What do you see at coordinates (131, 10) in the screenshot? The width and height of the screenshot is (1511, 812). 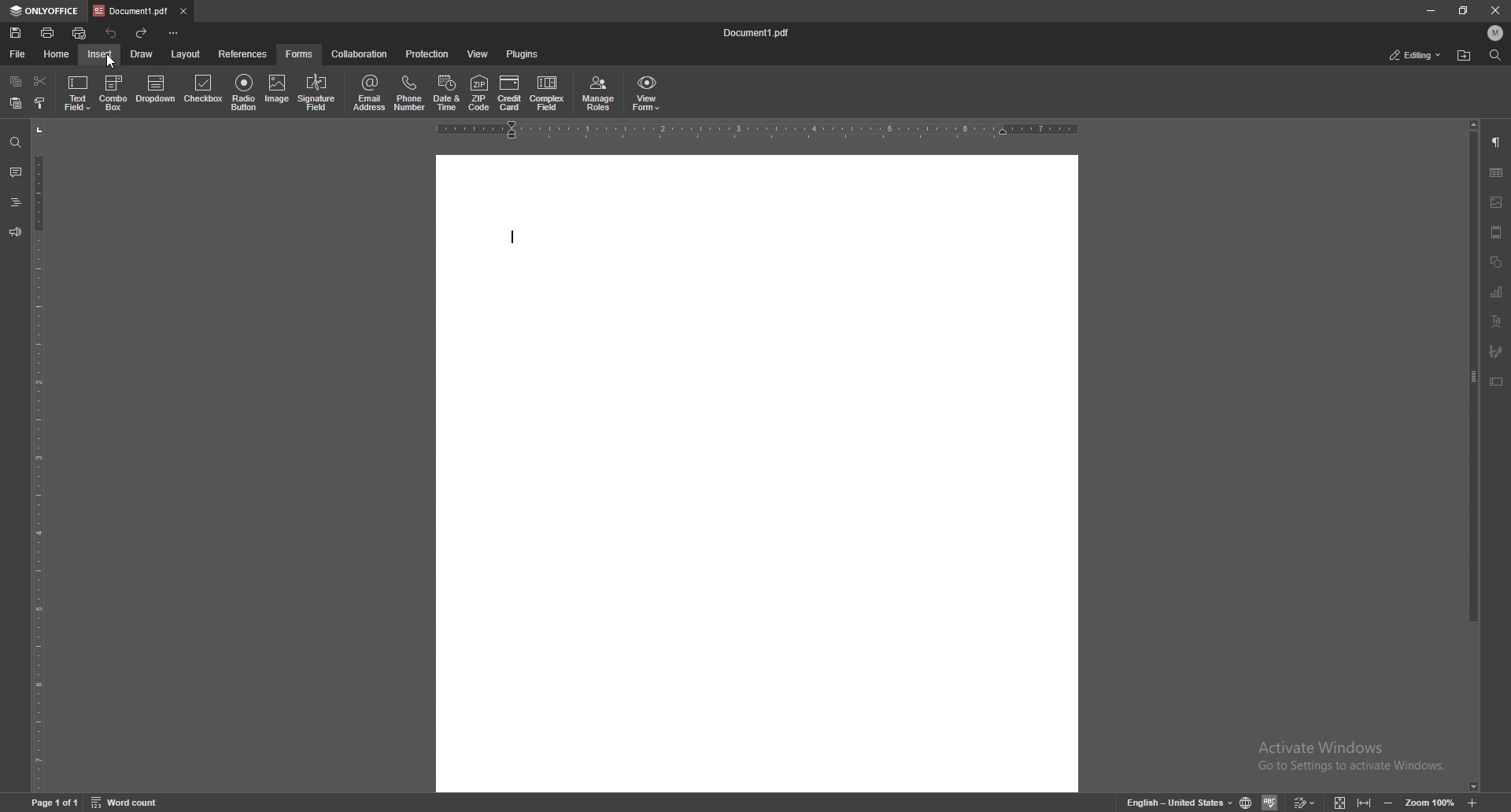 I see `tab` at bounding box center [131, 10].